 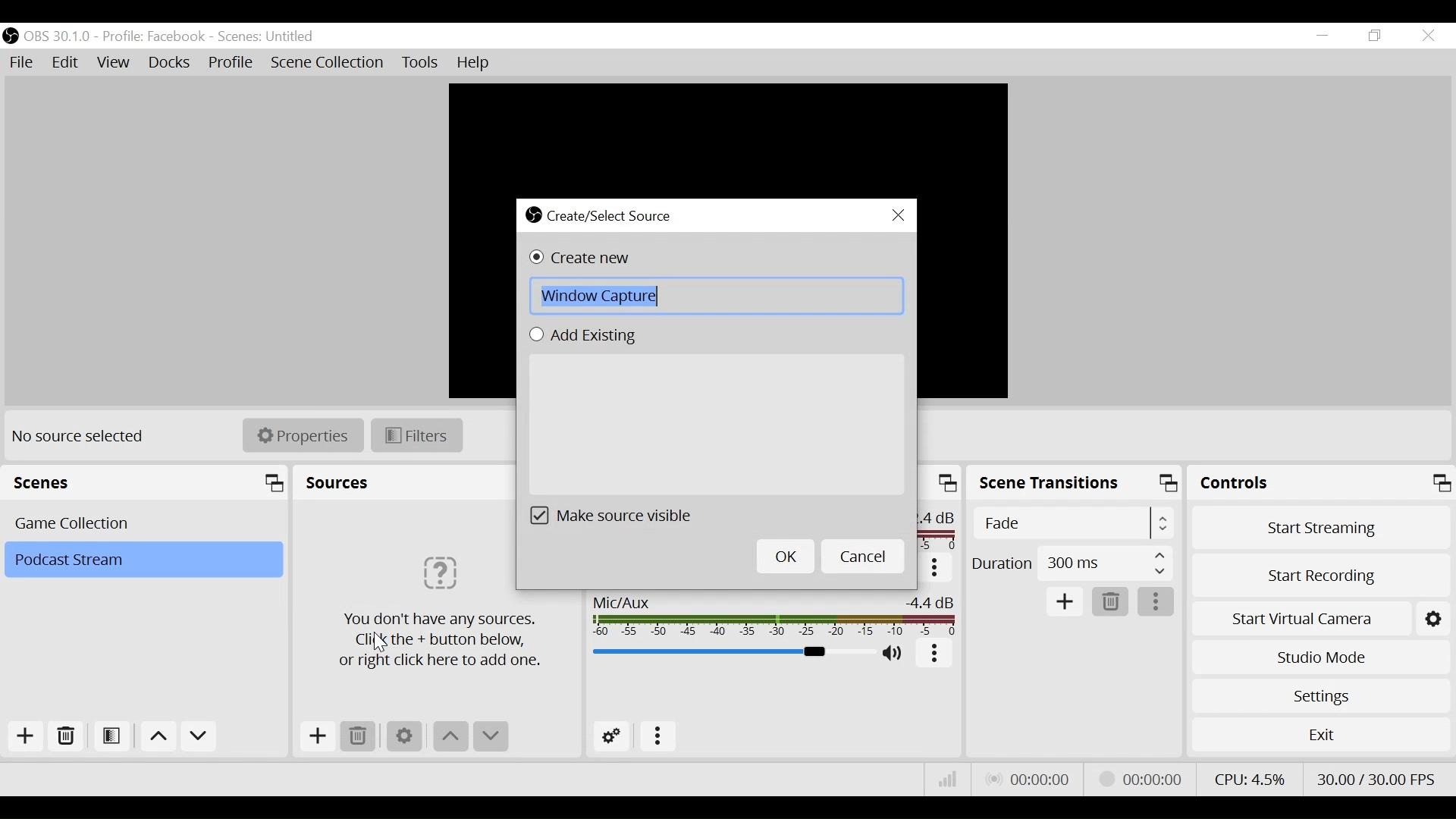 What do you see at coordinates (1250, 780) in the screenshot?
I see `CPU Usage` at bounding box center [1250, 780].